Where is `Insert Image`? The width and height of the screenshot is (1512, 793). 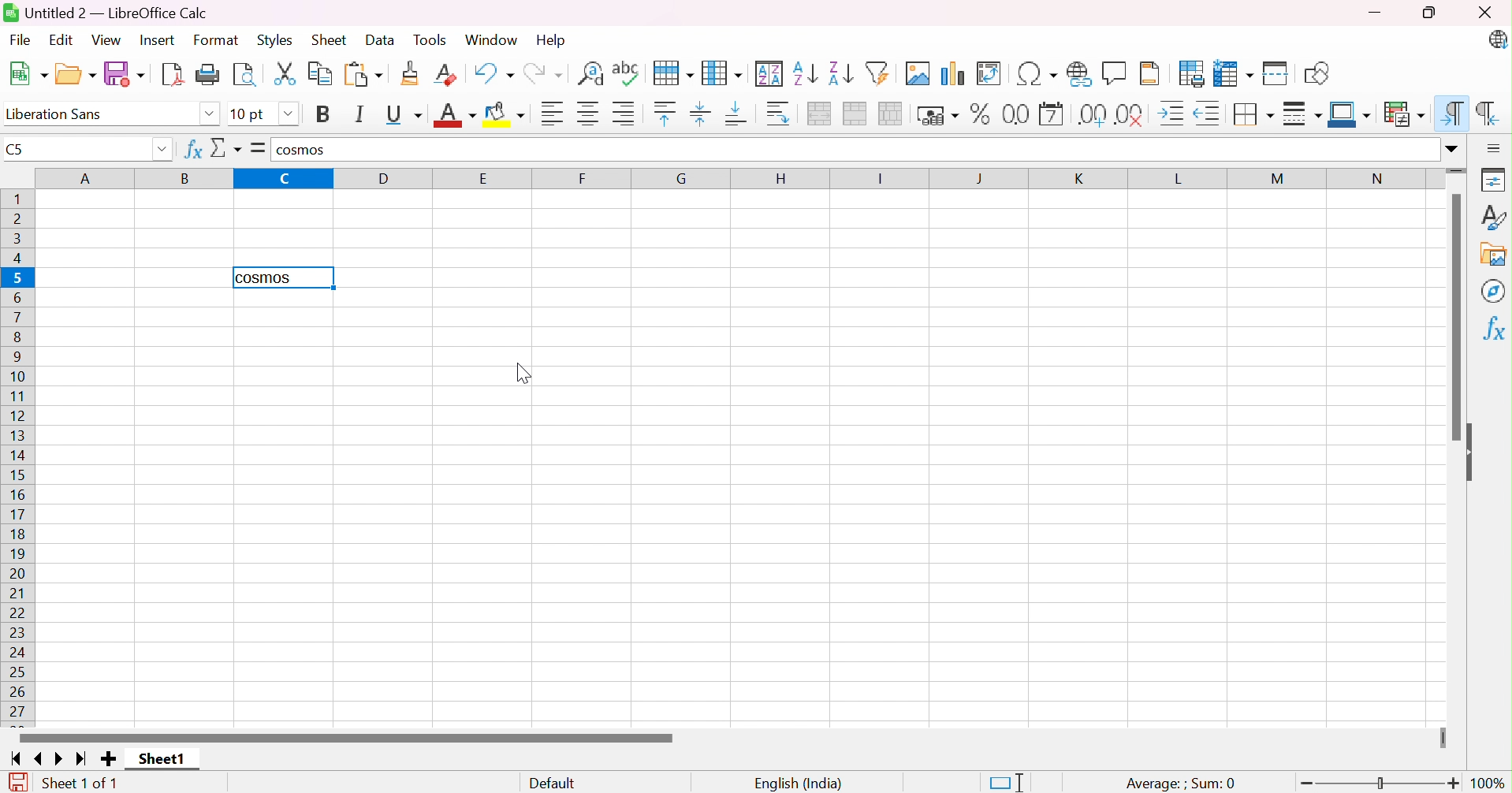
Insert Image is located at coordinates (920, 73).